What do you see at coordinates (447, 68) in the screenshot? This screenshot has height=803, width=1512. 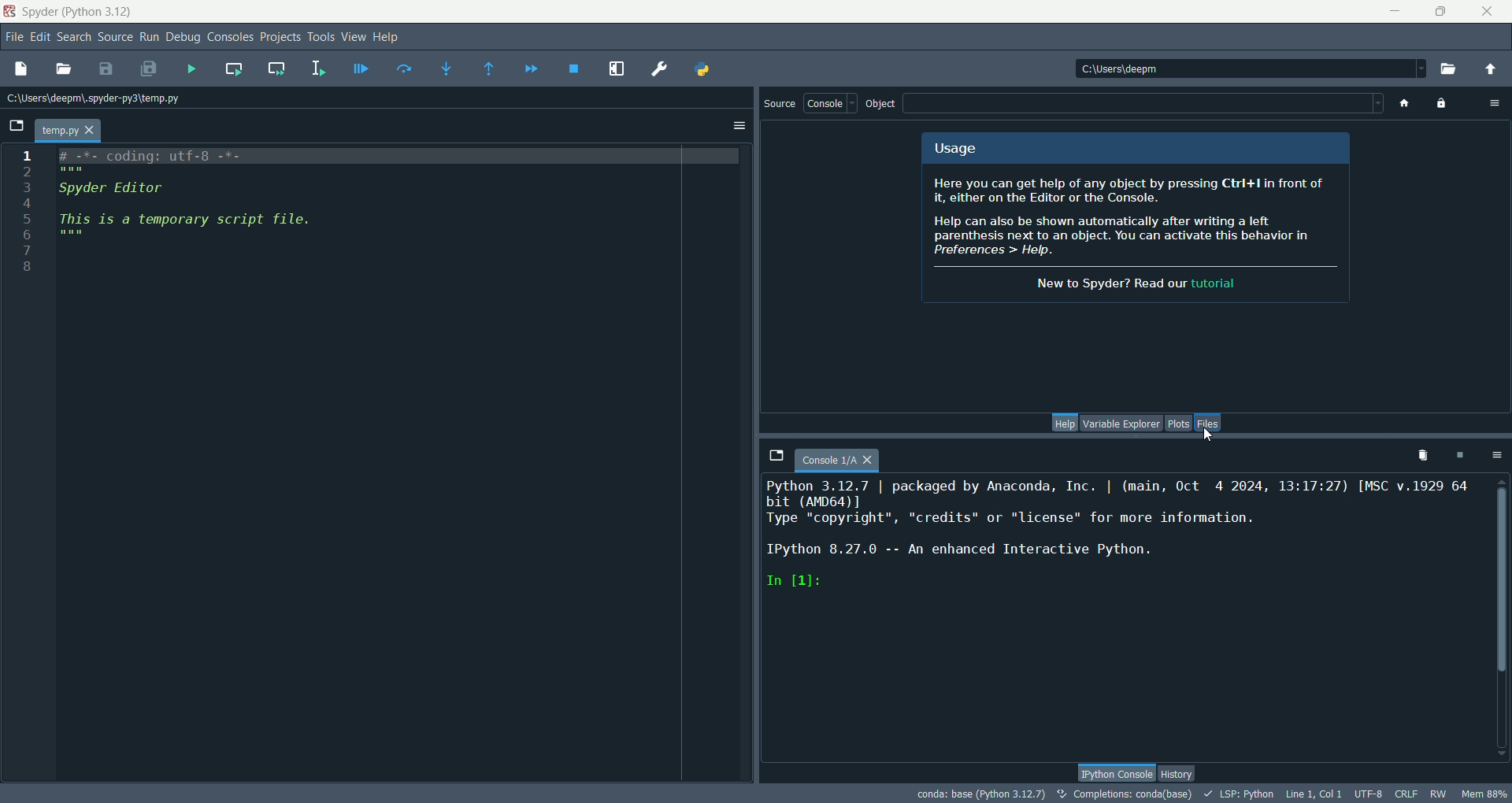 I see `step into function` at bounding box center [447, 68].